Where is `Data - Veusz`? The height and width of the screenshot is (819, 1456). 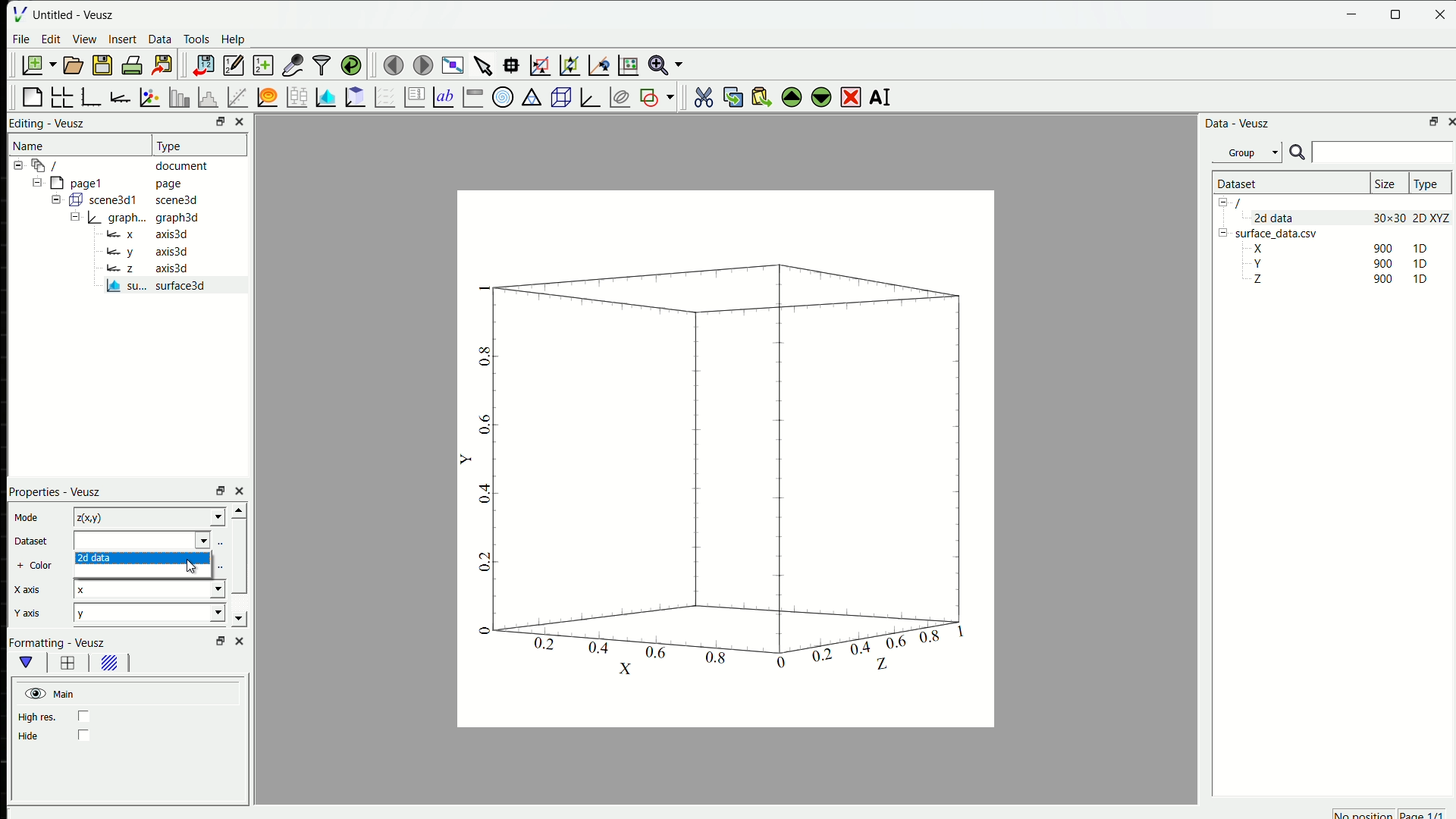 Data - Veusz is located at coordinates (1239, 124).